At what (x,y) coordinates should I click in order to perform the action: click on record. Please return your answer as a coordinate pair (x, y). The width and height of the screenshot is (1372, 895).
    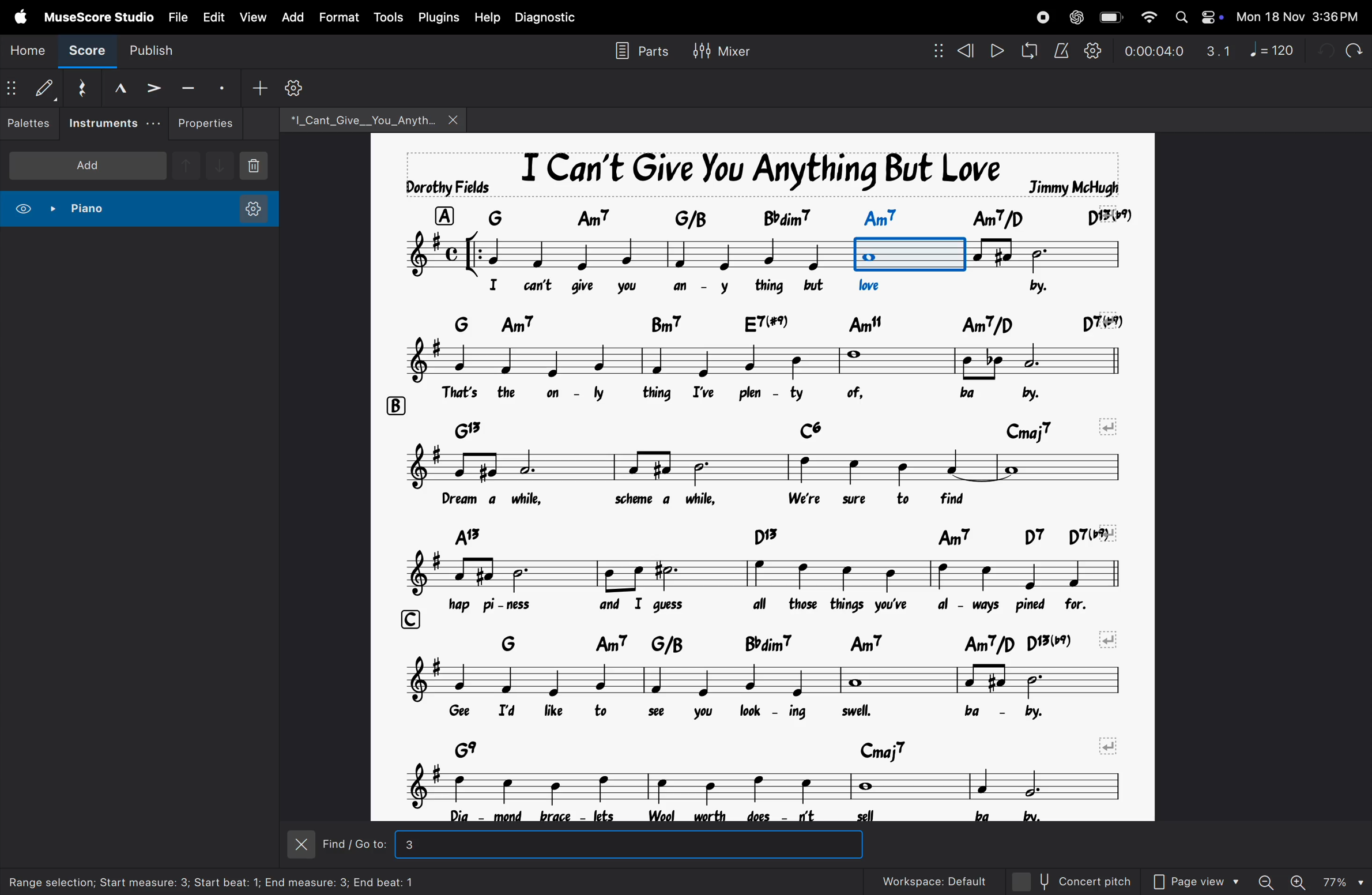
    Looking at the image, I should click on (1042, 17).